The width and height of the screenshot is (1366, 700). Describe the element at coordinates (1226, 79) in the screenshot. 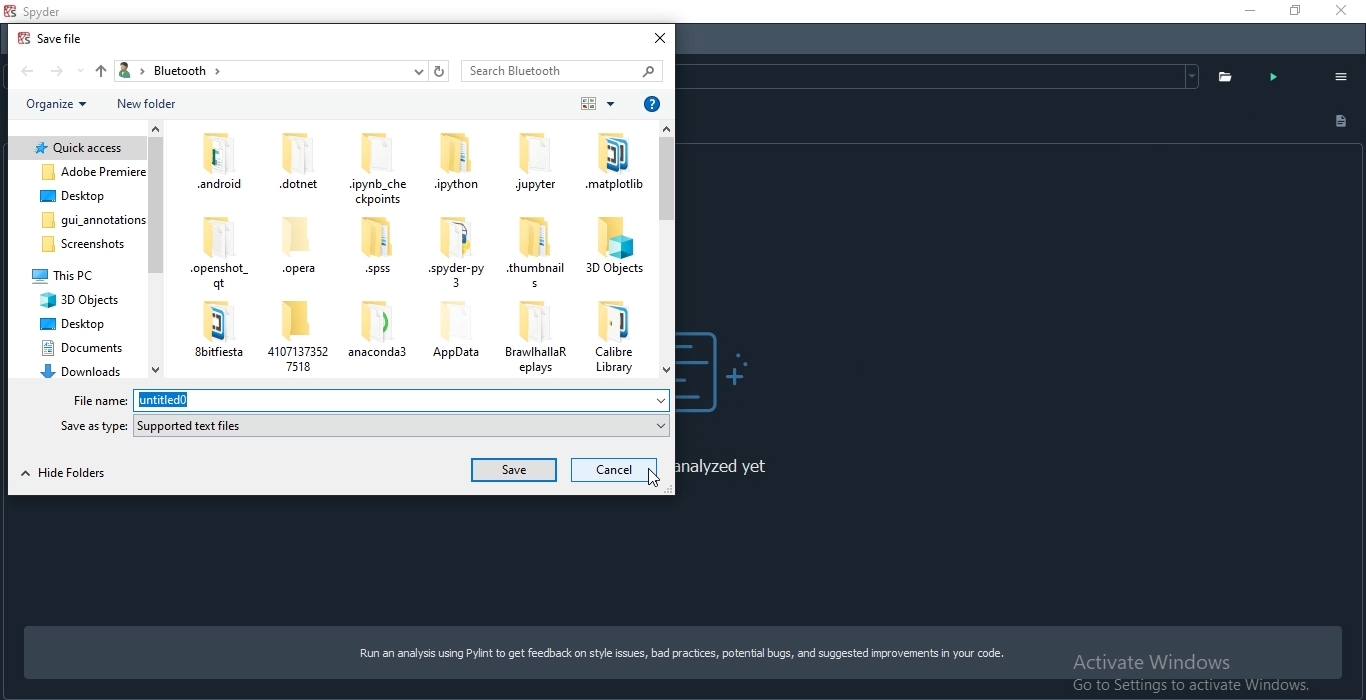

I see `folder` at that location.